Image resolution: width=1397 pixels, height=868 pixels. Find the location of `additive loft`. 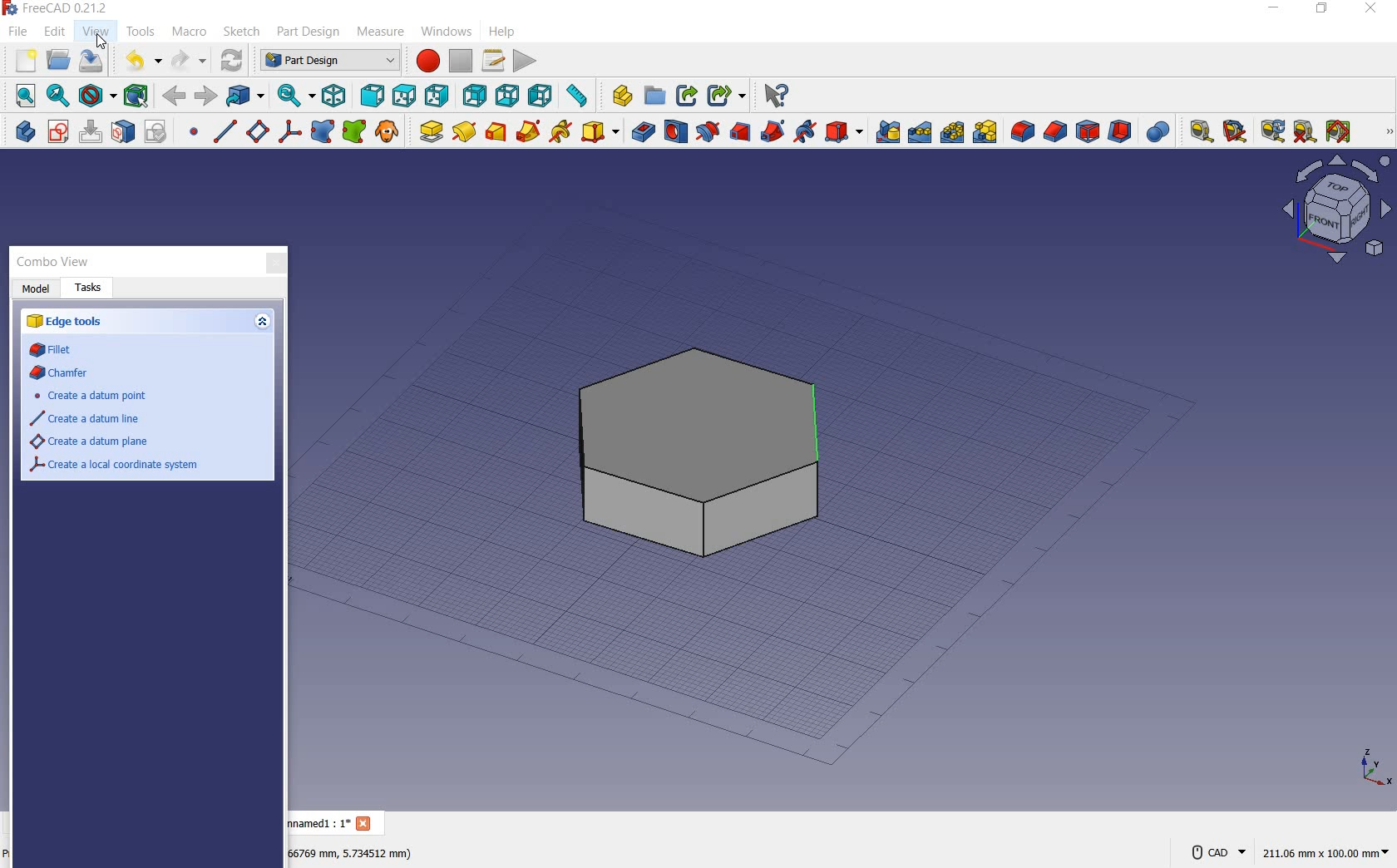

additive loft is located at coordinates (496, 131).